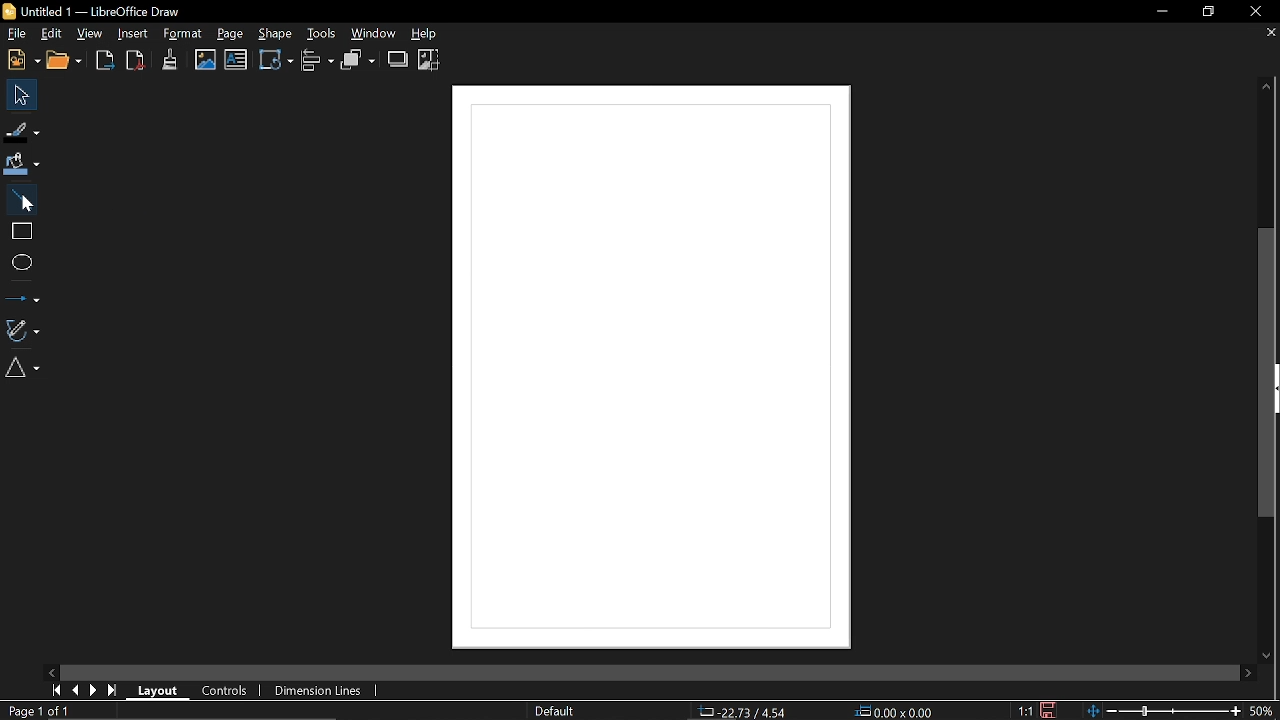  Describe the element at coordinates (20, 231) in the screenshot. I see `rectangle` at that location.